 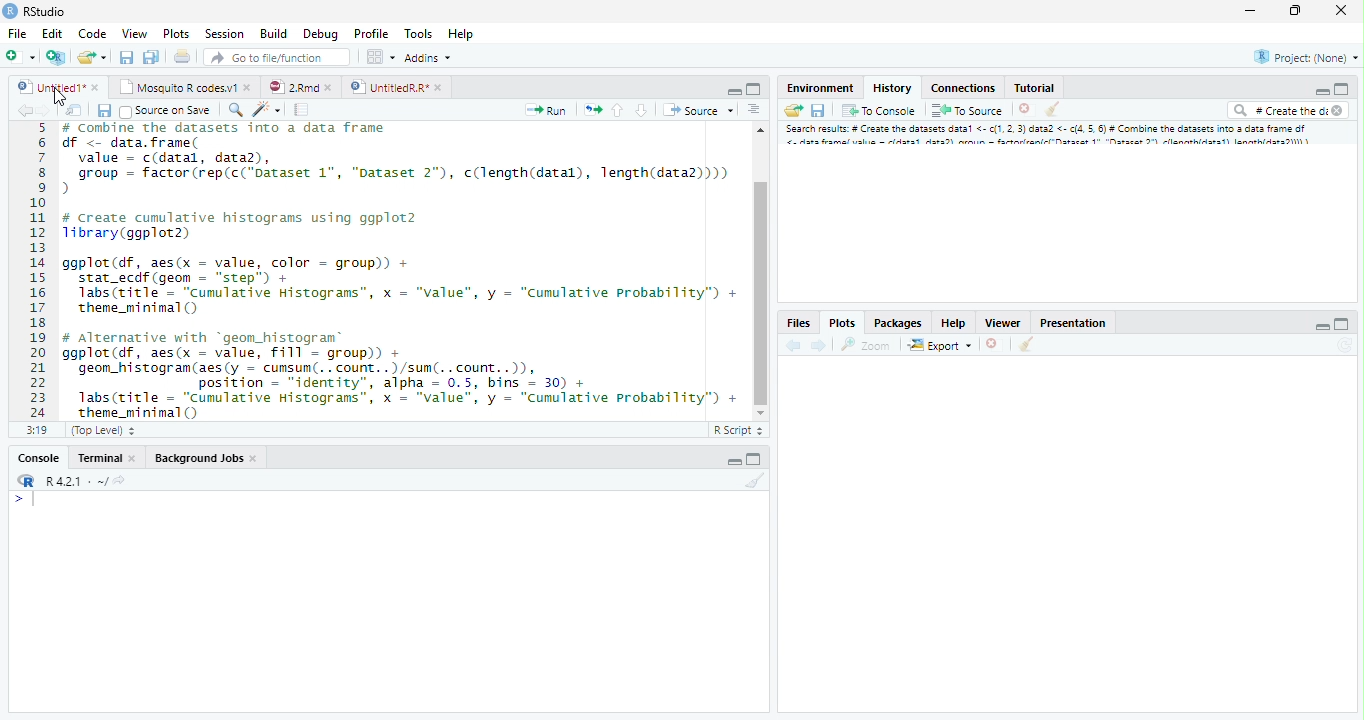 I want to click on To Source, so click(x=968, y=110).